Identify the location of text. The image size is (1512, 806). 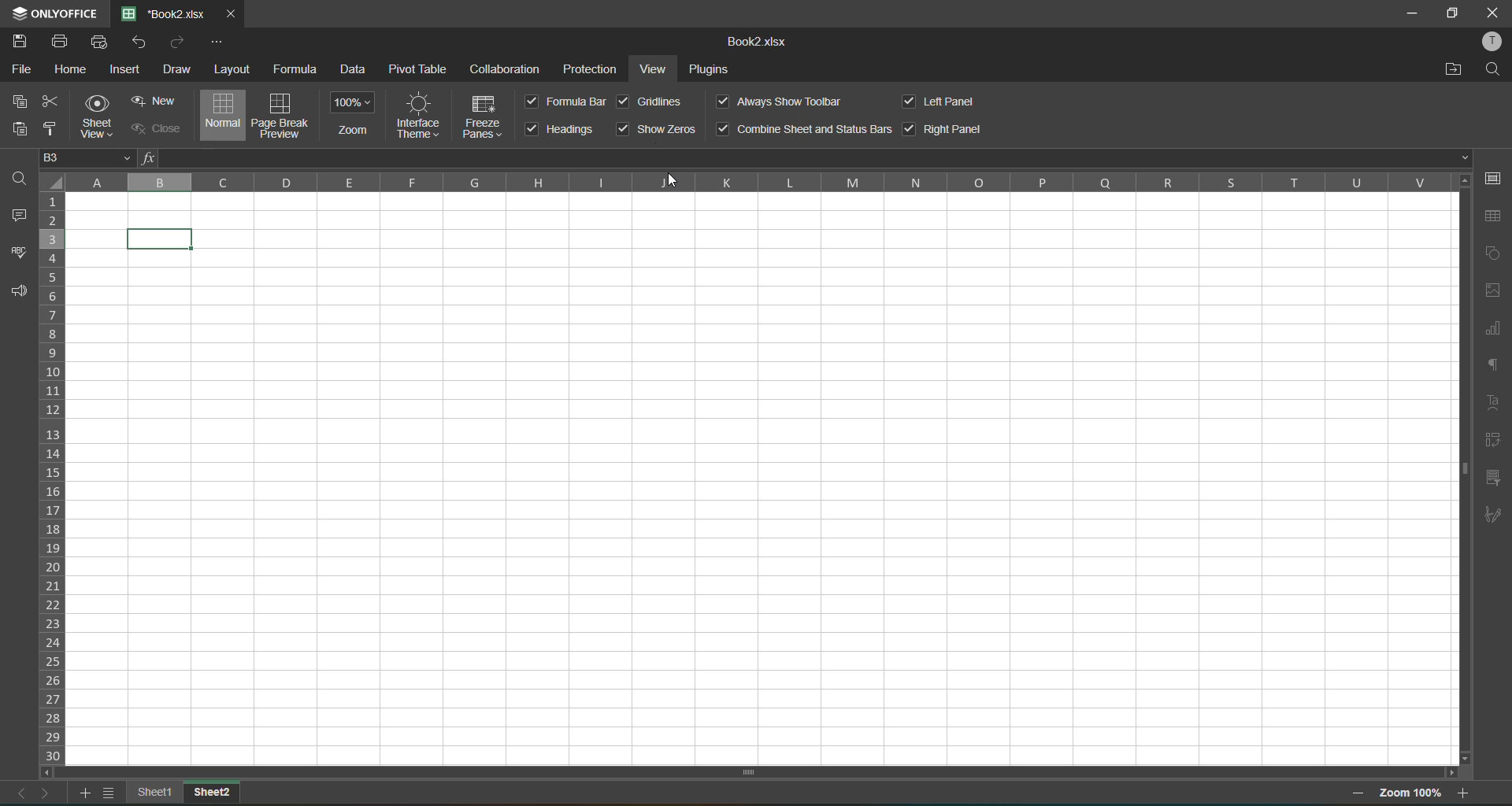
(1490, 402).